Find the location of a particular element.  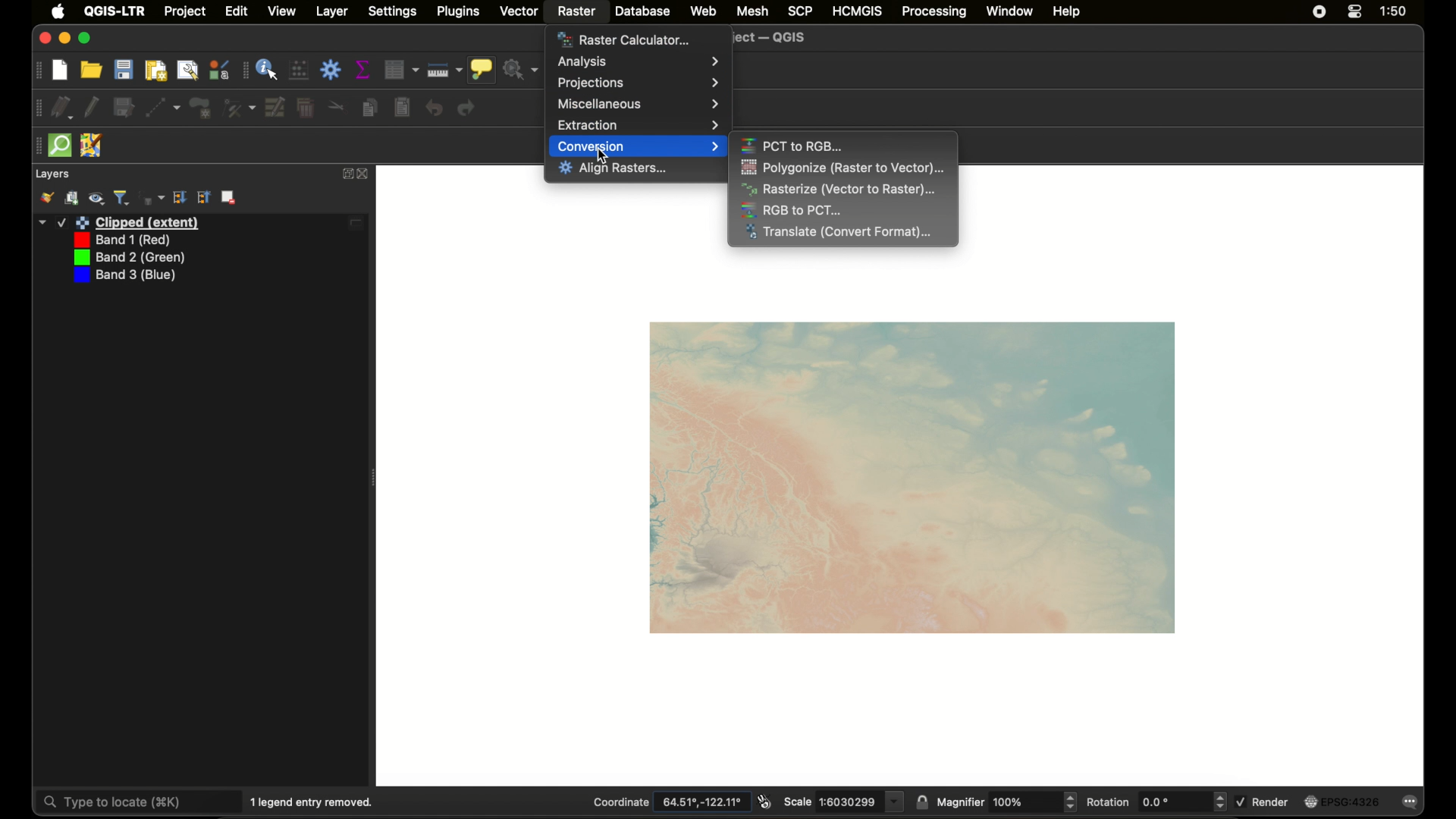

time is located at coordinates (1393, 11).